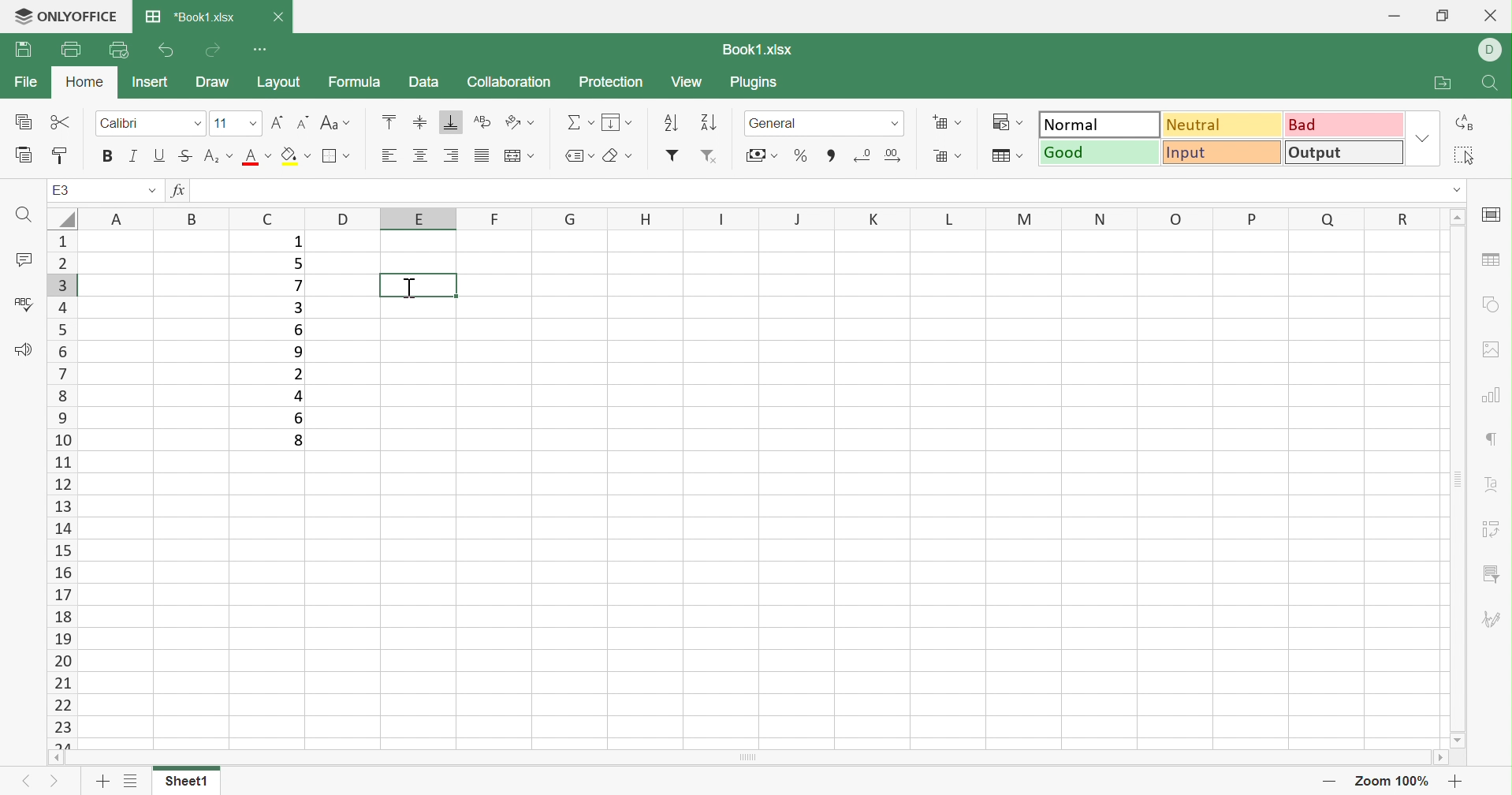 The height and width of the screenshot is (795, 1512). What do you see at coordinates (296, 328) in the screenshot?
I see `6` at bounding box center [296, 328].